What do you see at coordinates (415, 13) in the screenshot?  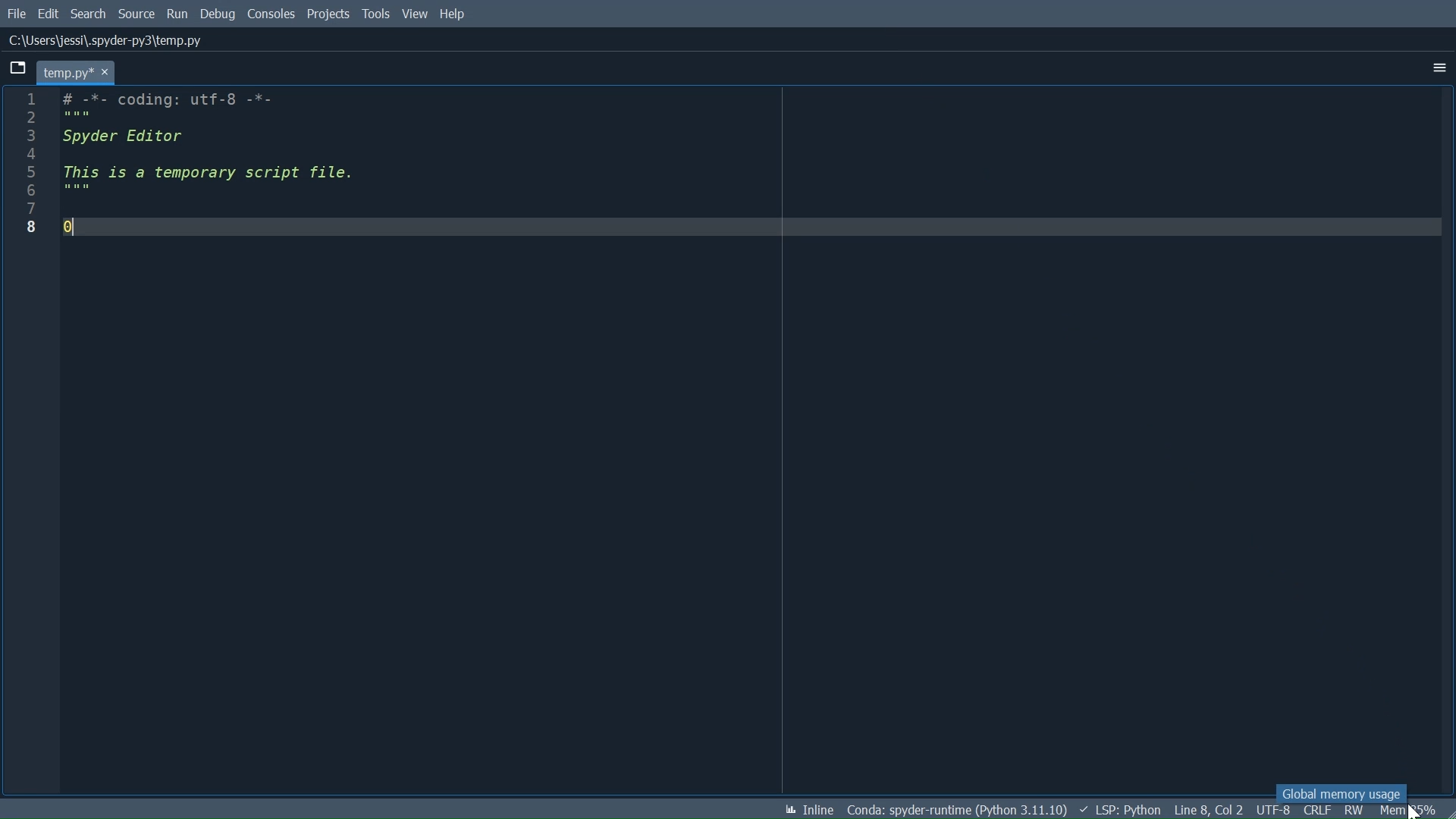 I see `View` at bounding box center [415, 13].